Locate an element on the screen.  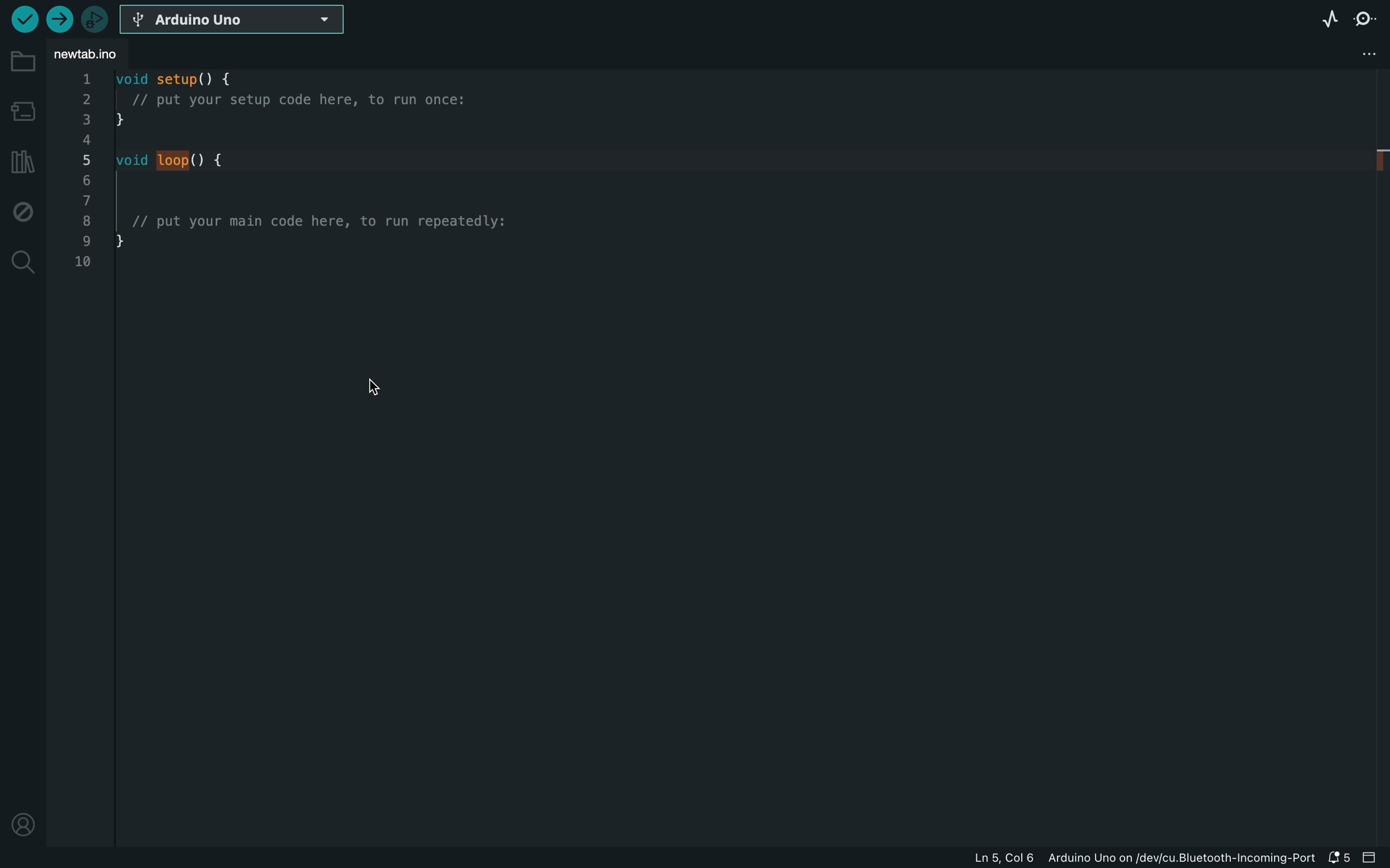
folder is located at coordinates (22, 61).